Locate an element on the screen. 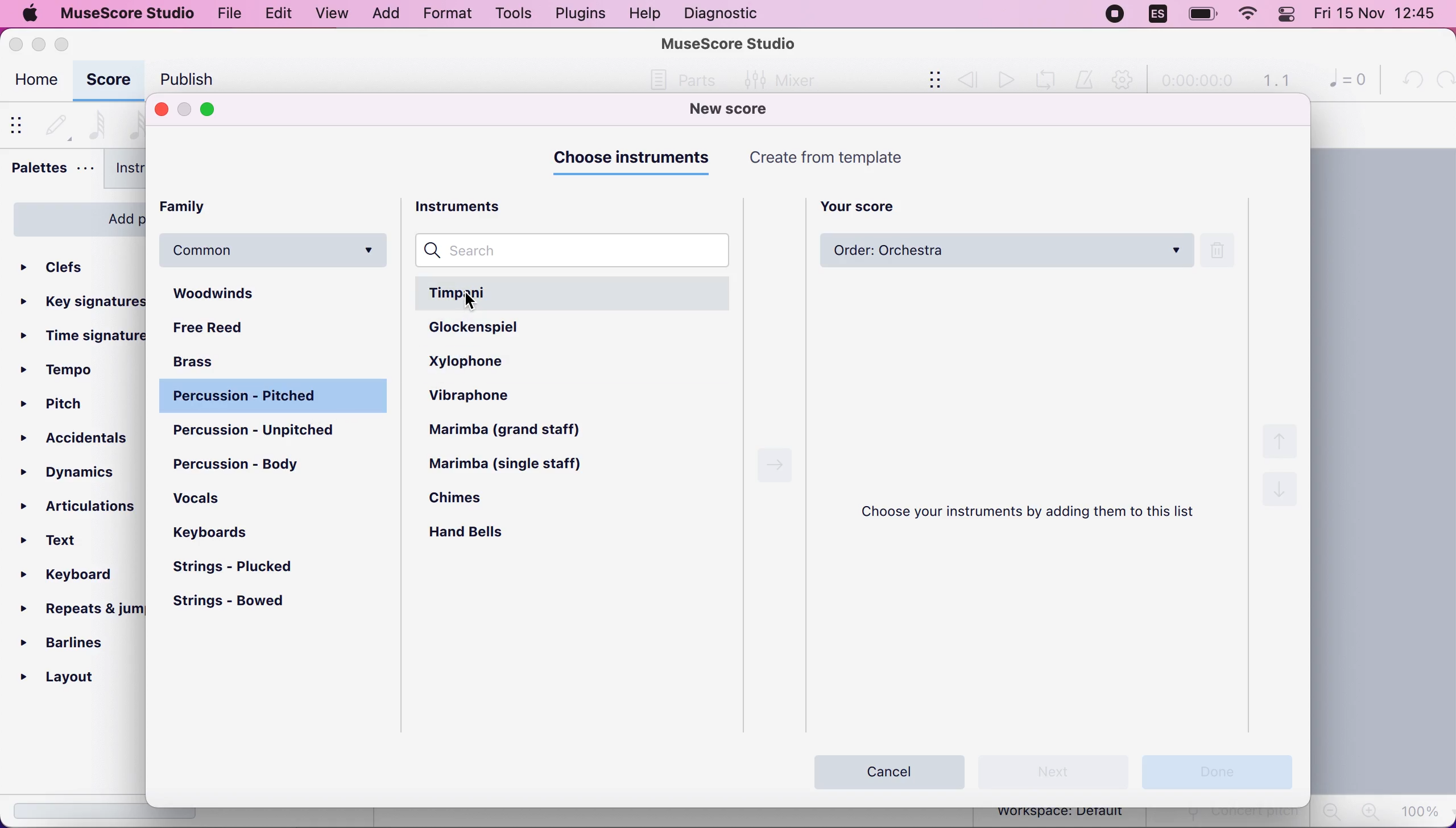  glockenspiel is located at coordinates (499, 328).